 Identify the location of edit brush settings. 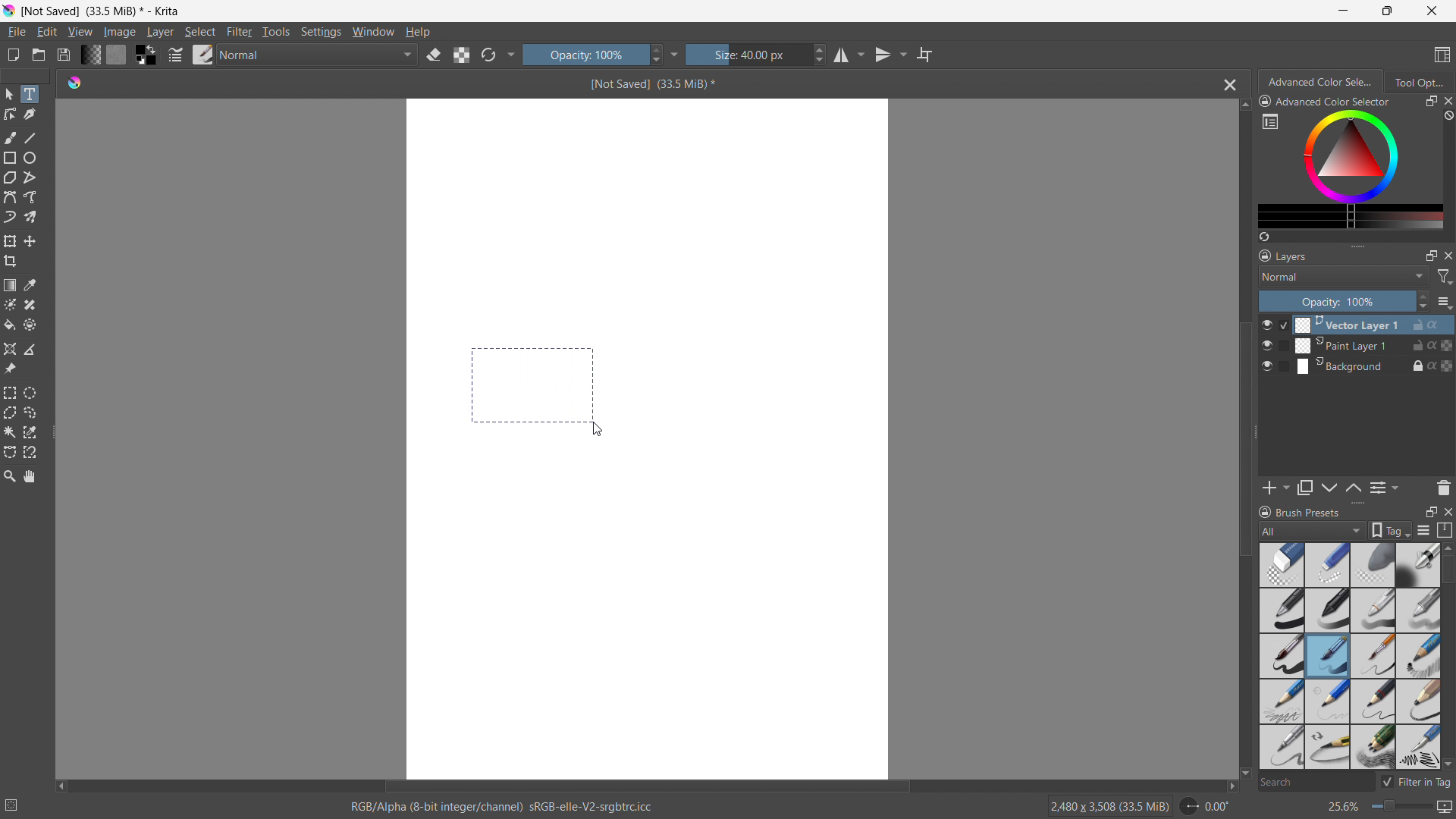
(175, 55).